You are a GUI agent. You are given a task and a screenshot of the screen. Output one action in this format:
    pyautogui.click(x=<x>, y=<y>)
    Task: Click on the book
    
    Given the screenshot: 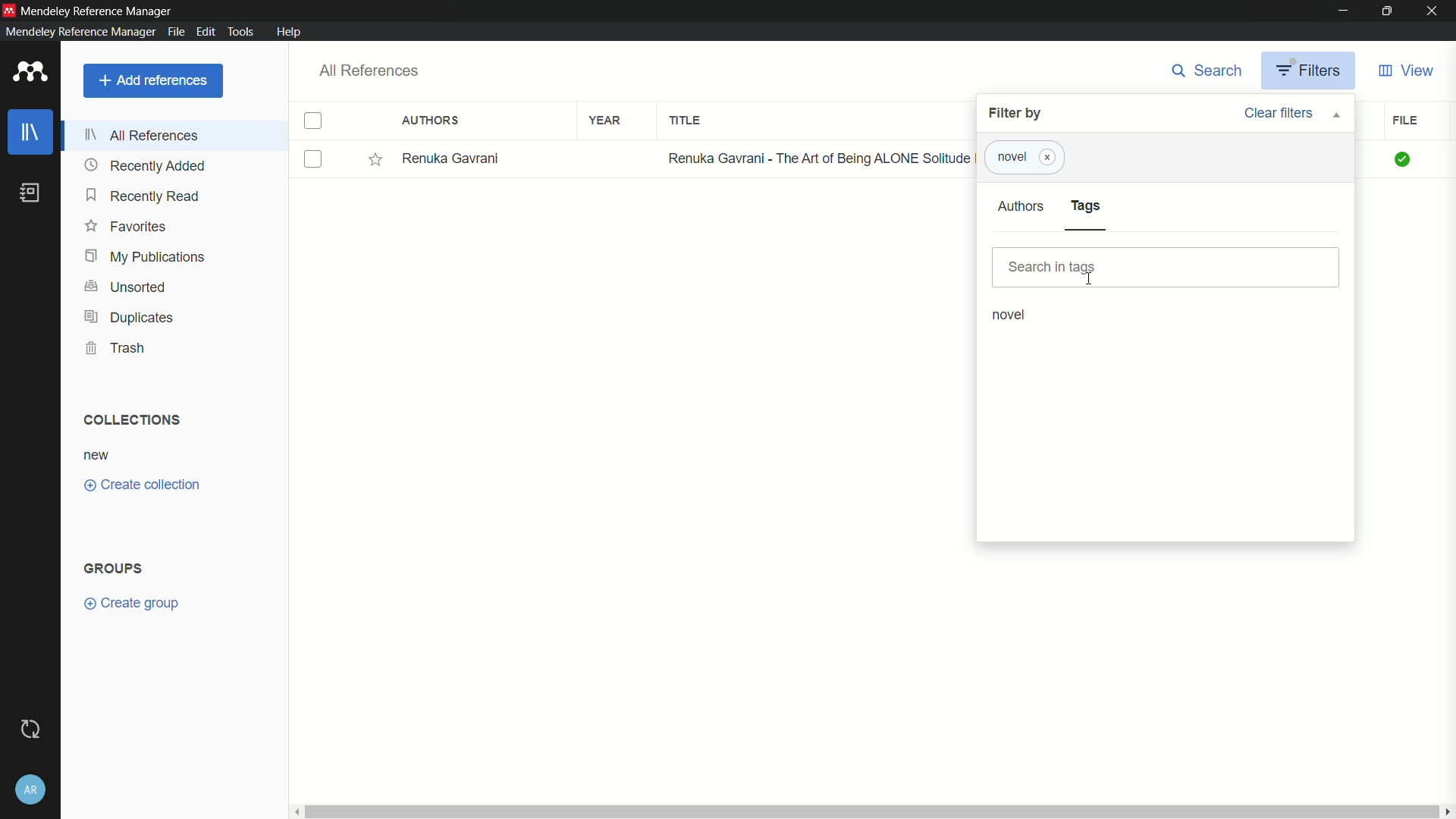 What is the action you would take?
    pyautogui.click(x=29, y=193)
    